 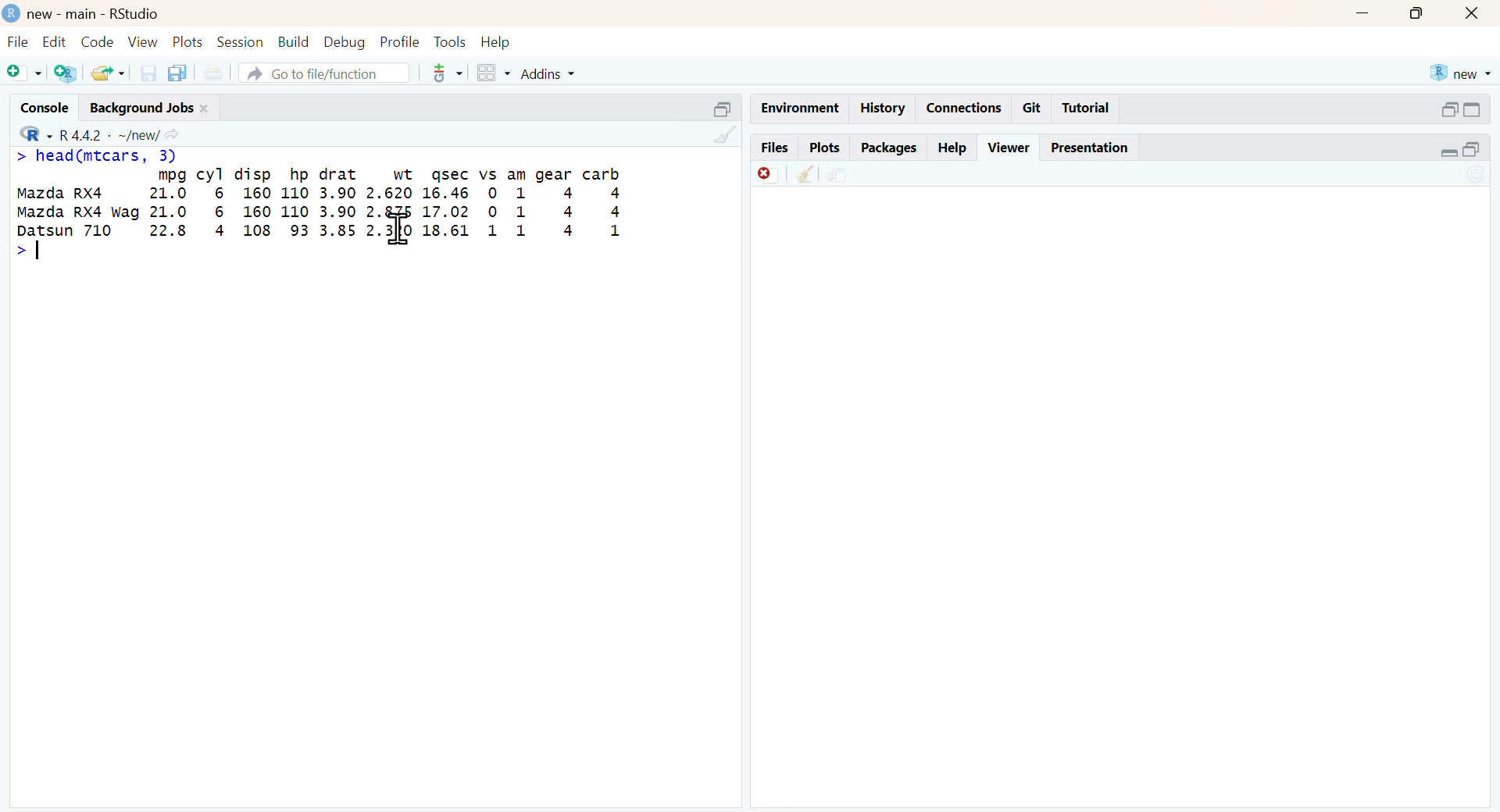 What do you see at coordinates (1476, 15) in the screenshot?
I see `close` at bounding box center [1476, 15].